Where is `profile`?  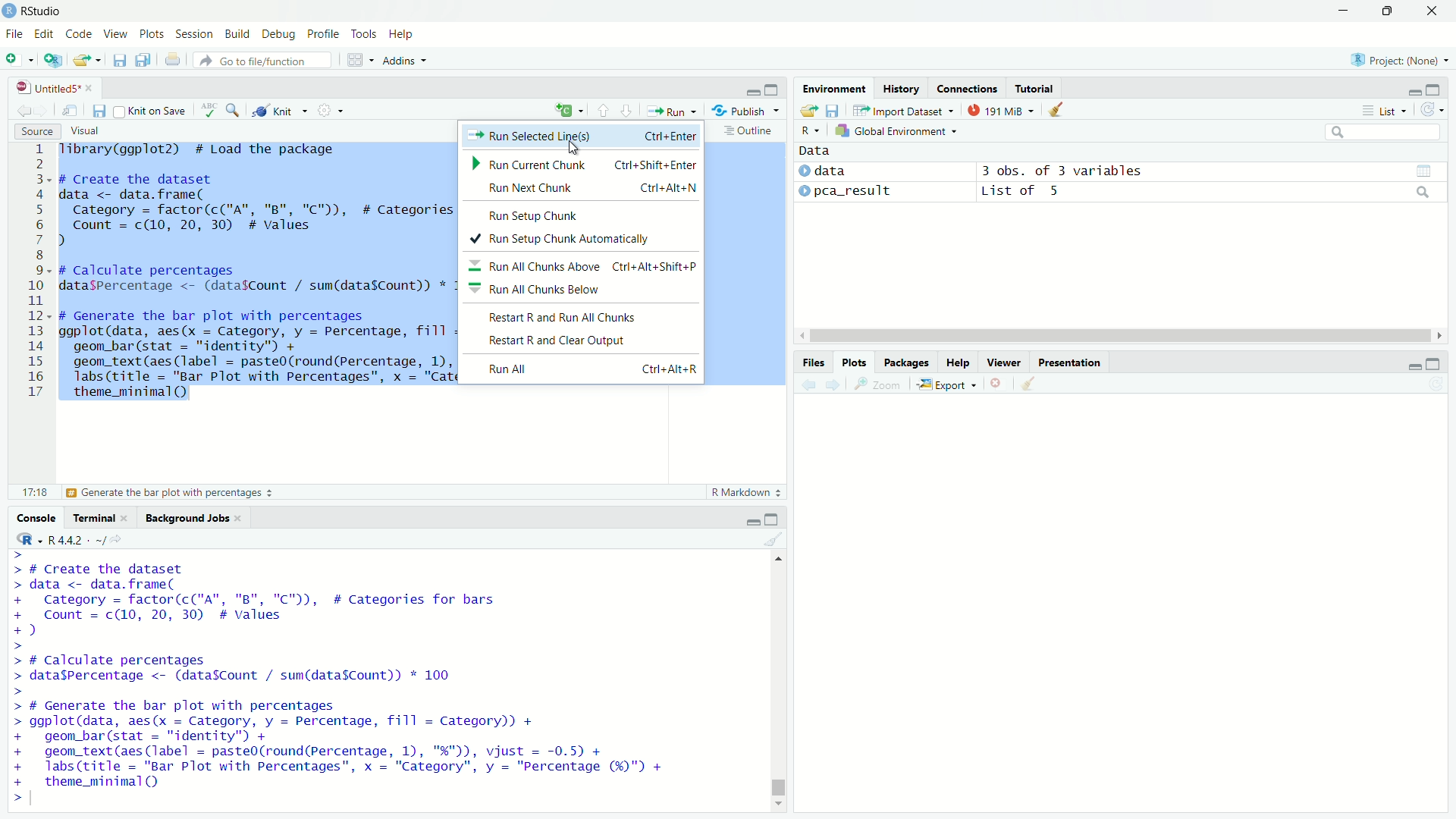 profile is located at coordinates (325, 35).